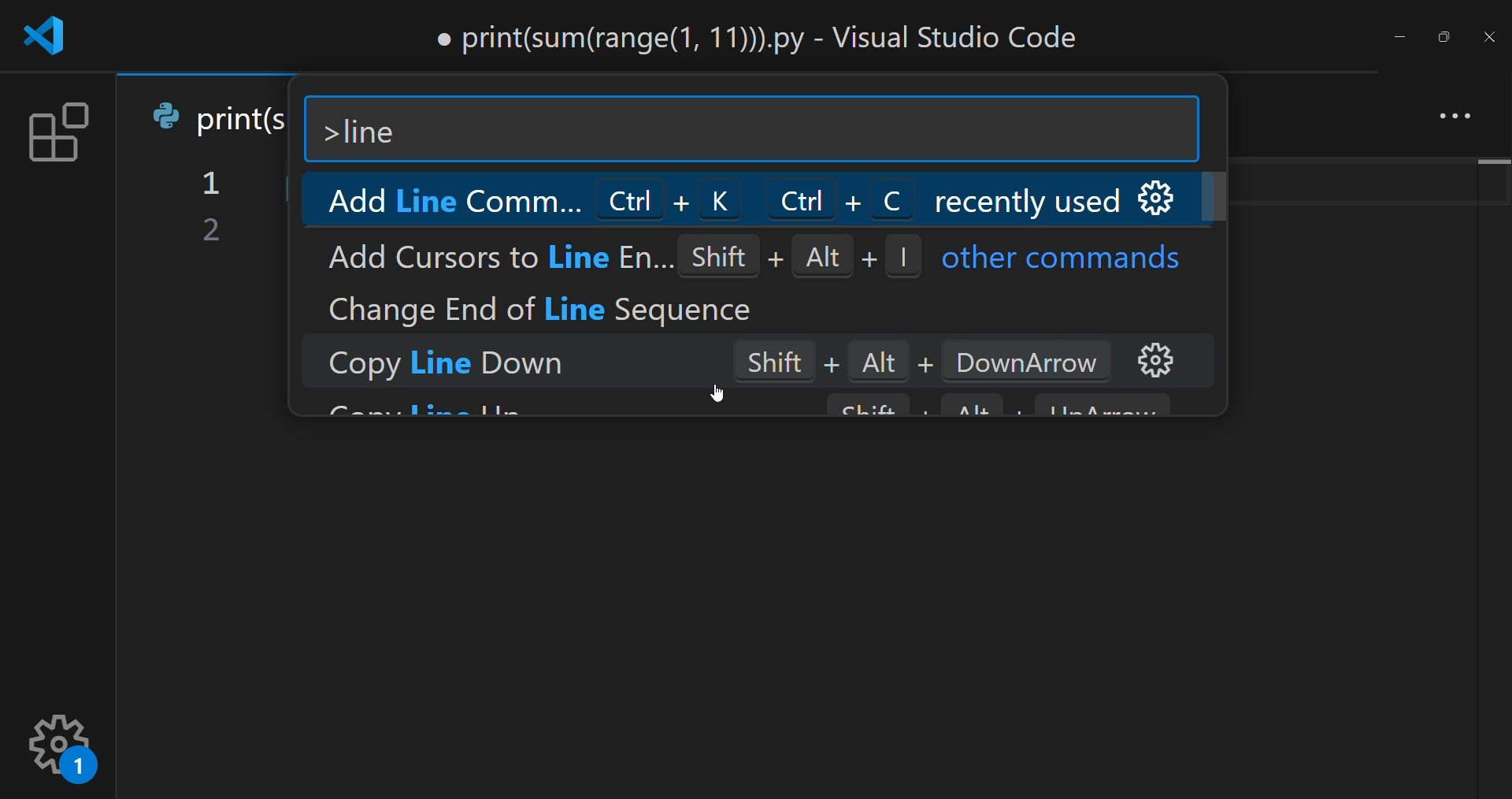 The width and height of the screenshot is (1512, 799). What do you see at coordinates (1227, 199) in the screenshot?
I see `scroll bar` at bounding box center [1227, 199].